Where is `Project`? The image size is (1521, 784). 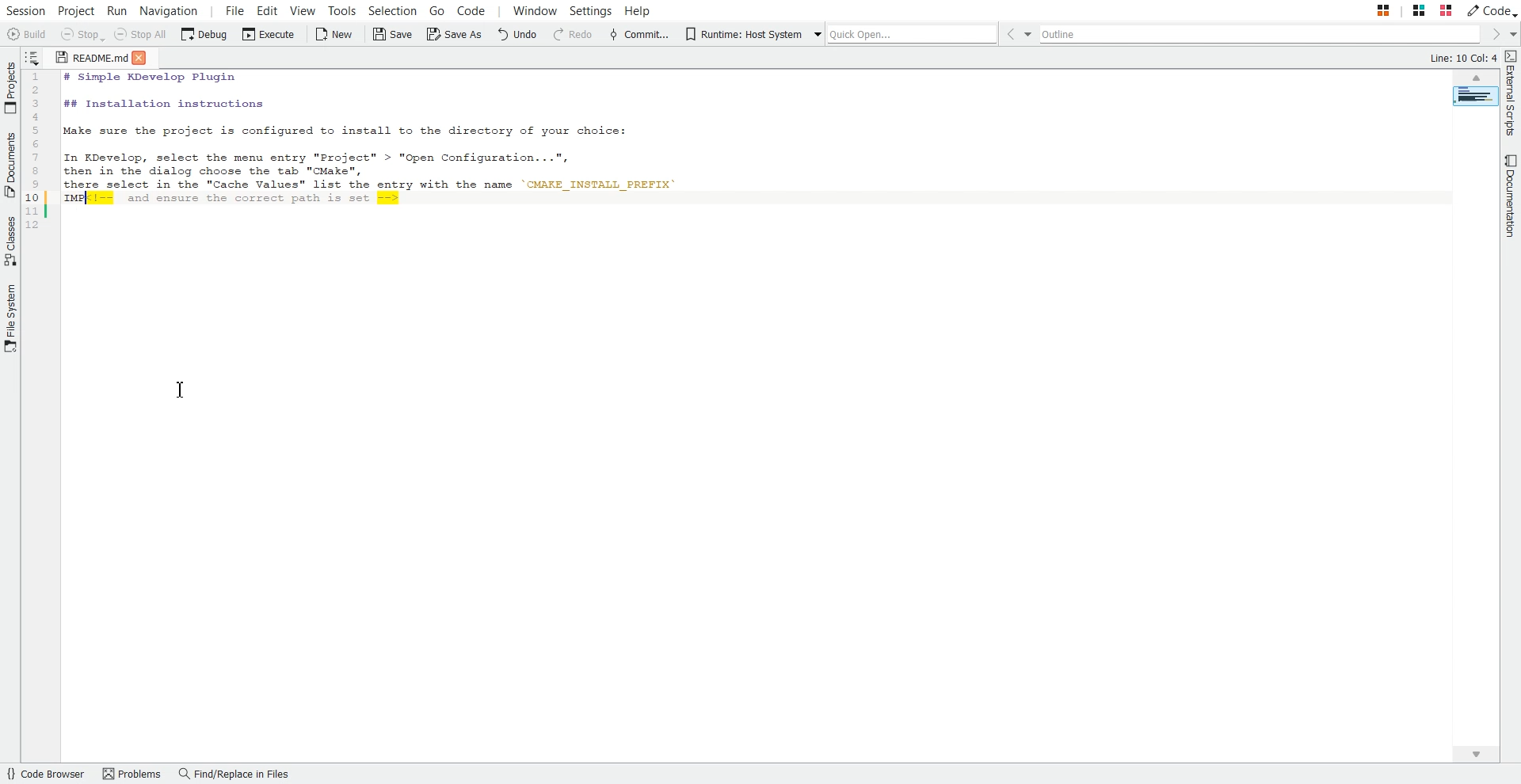
Project is located at coordinates (76, 10).